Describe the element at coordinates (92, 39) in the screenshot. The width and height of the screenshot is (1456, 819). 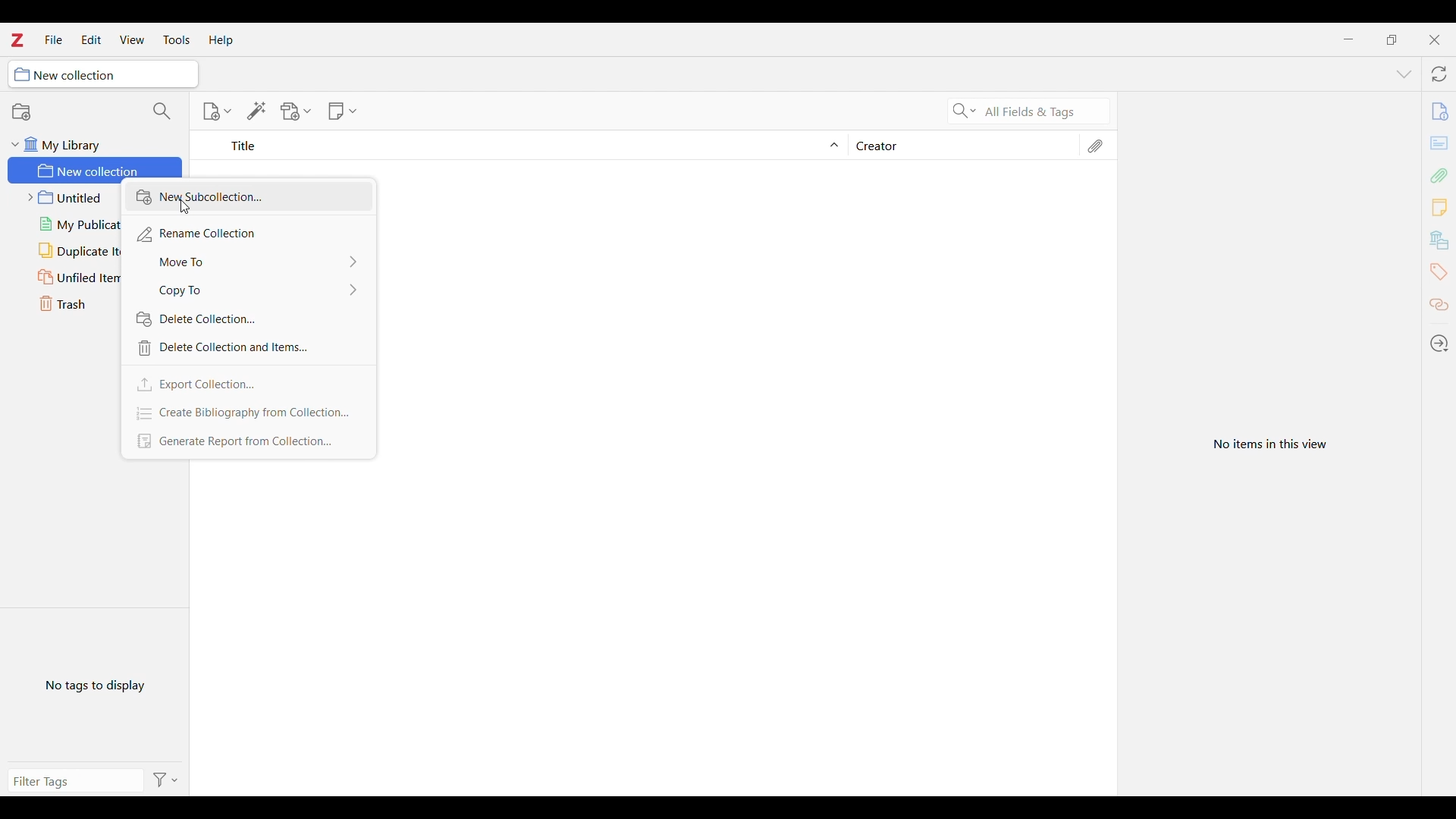
I see `Edit menu` at that location.